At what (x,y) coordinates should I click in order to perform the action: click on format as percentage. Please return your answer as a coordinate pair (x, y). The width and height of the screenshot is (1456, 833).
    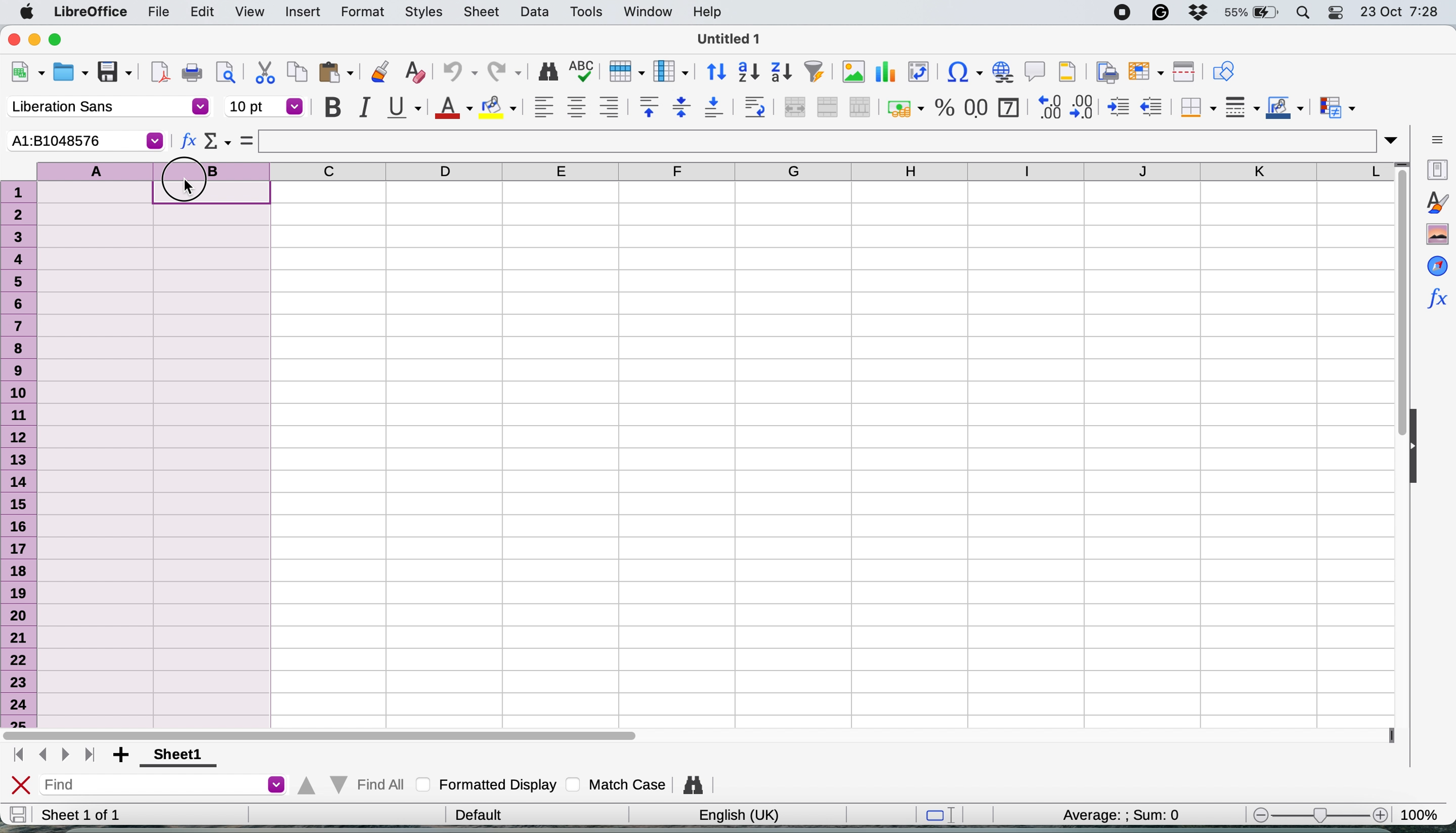
    Looking at the image, I should click on (941, 107).